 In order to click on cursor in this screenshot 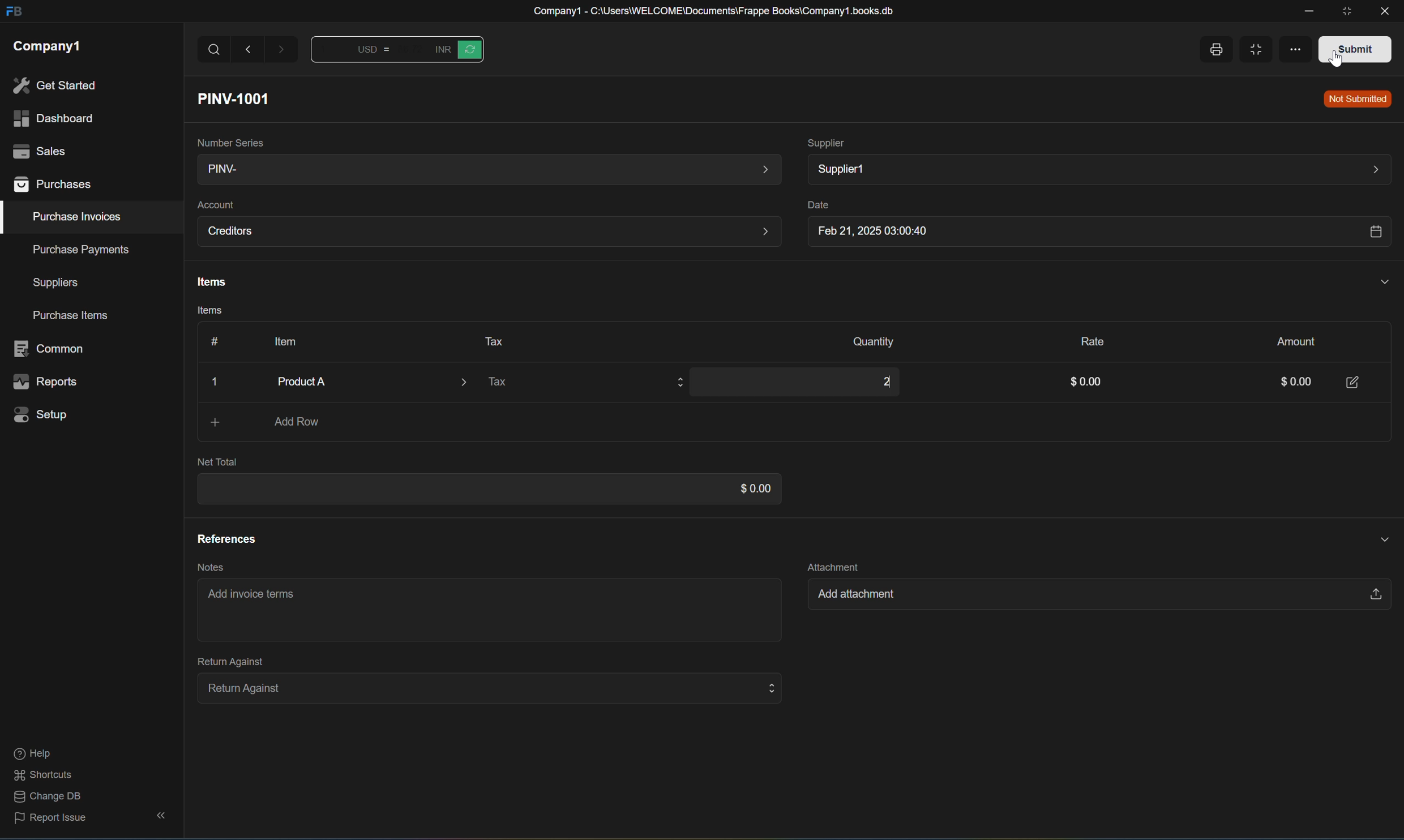, I will do `click(1335, 63)`.